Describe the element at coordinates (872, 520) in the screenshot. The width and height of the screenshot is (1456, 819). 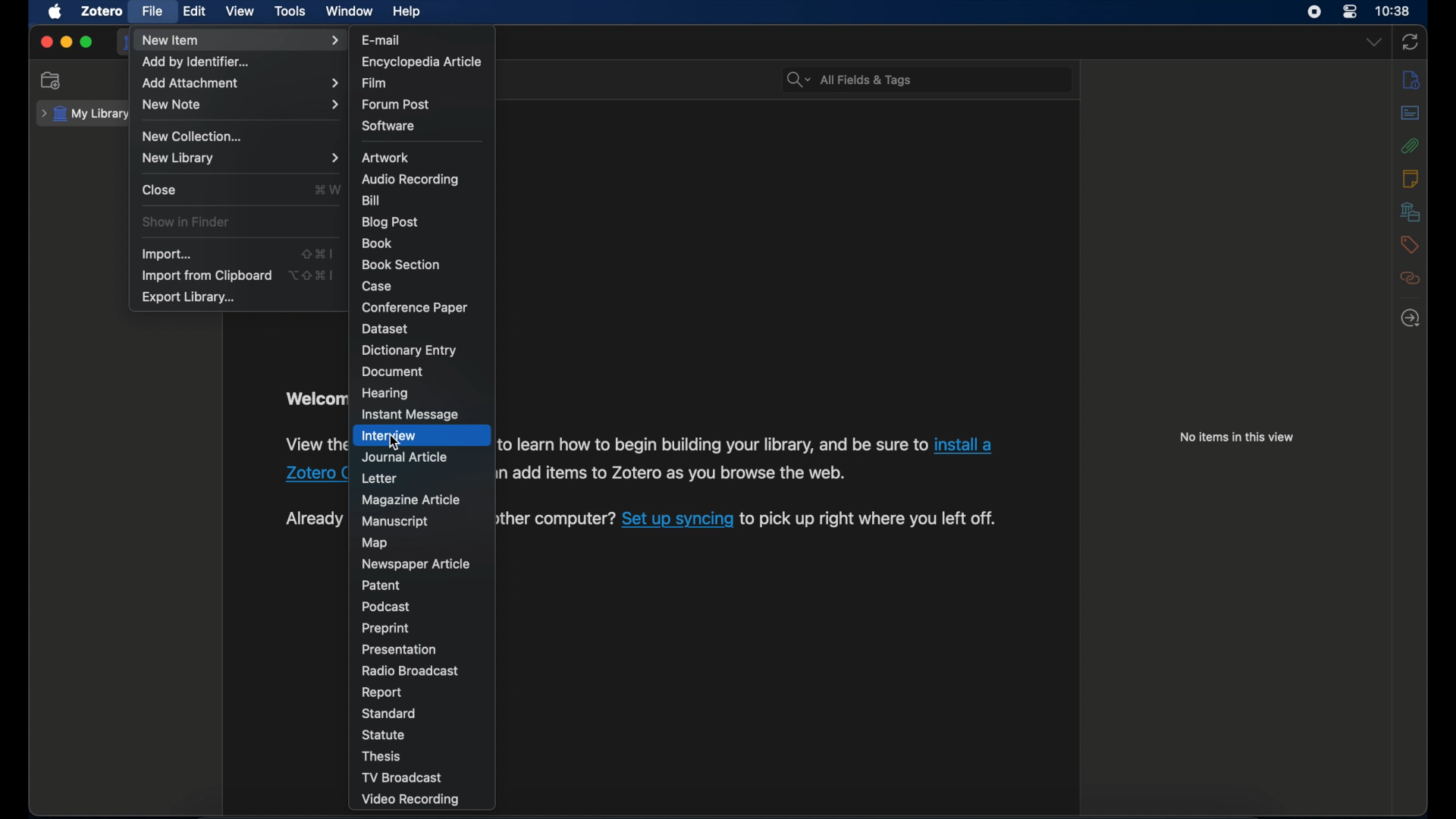
I see `to pick up right where you left off` at that location.